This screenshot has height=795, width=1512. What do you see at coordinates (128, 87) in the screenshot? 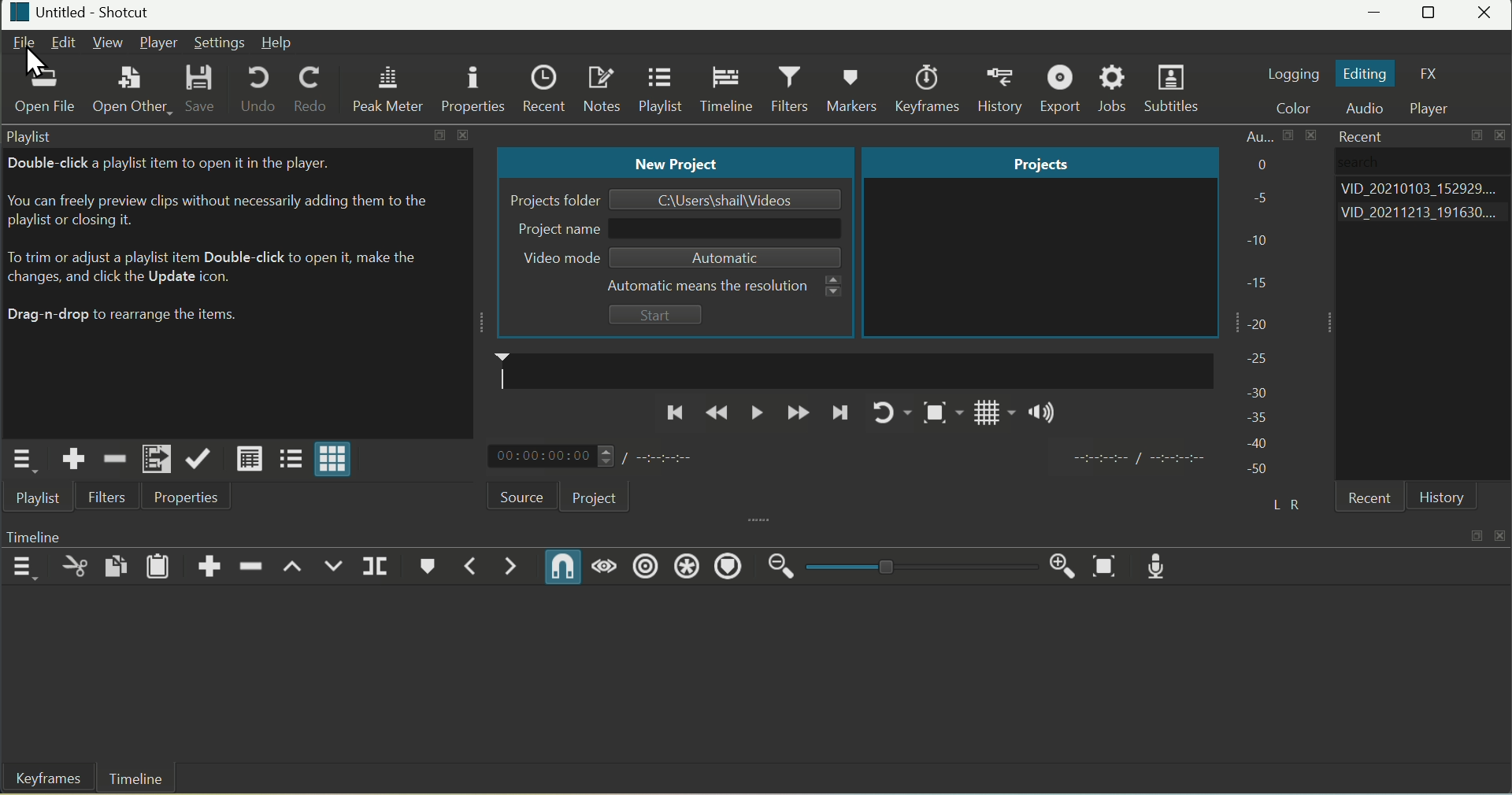
I see `Open Other` at bounding box center [128, 87].